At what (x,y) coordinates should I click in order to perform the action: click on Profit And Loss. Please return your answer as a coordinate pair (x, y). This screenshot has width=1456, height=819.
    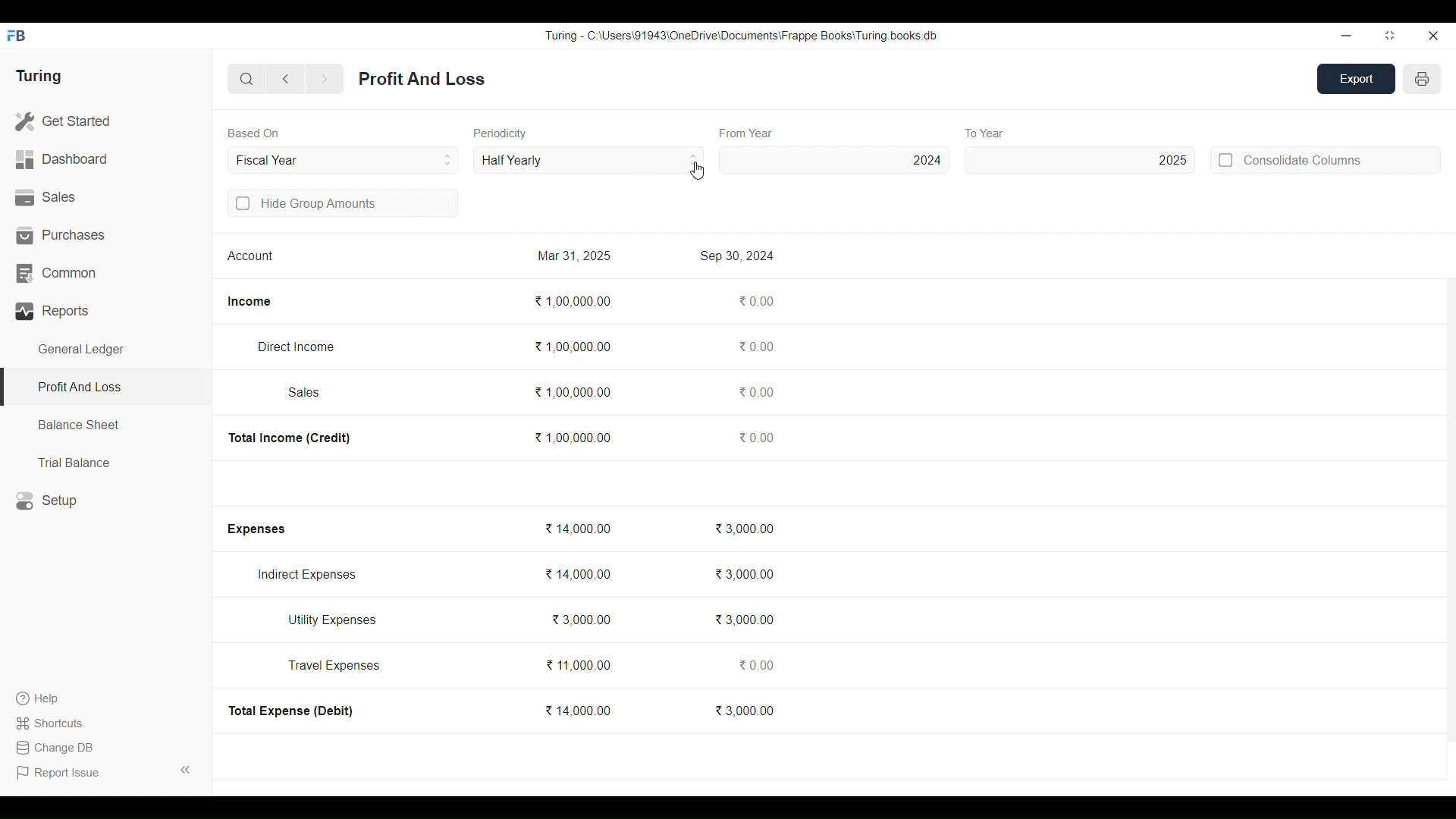
    Looking at the image, I should click on (422, 79).